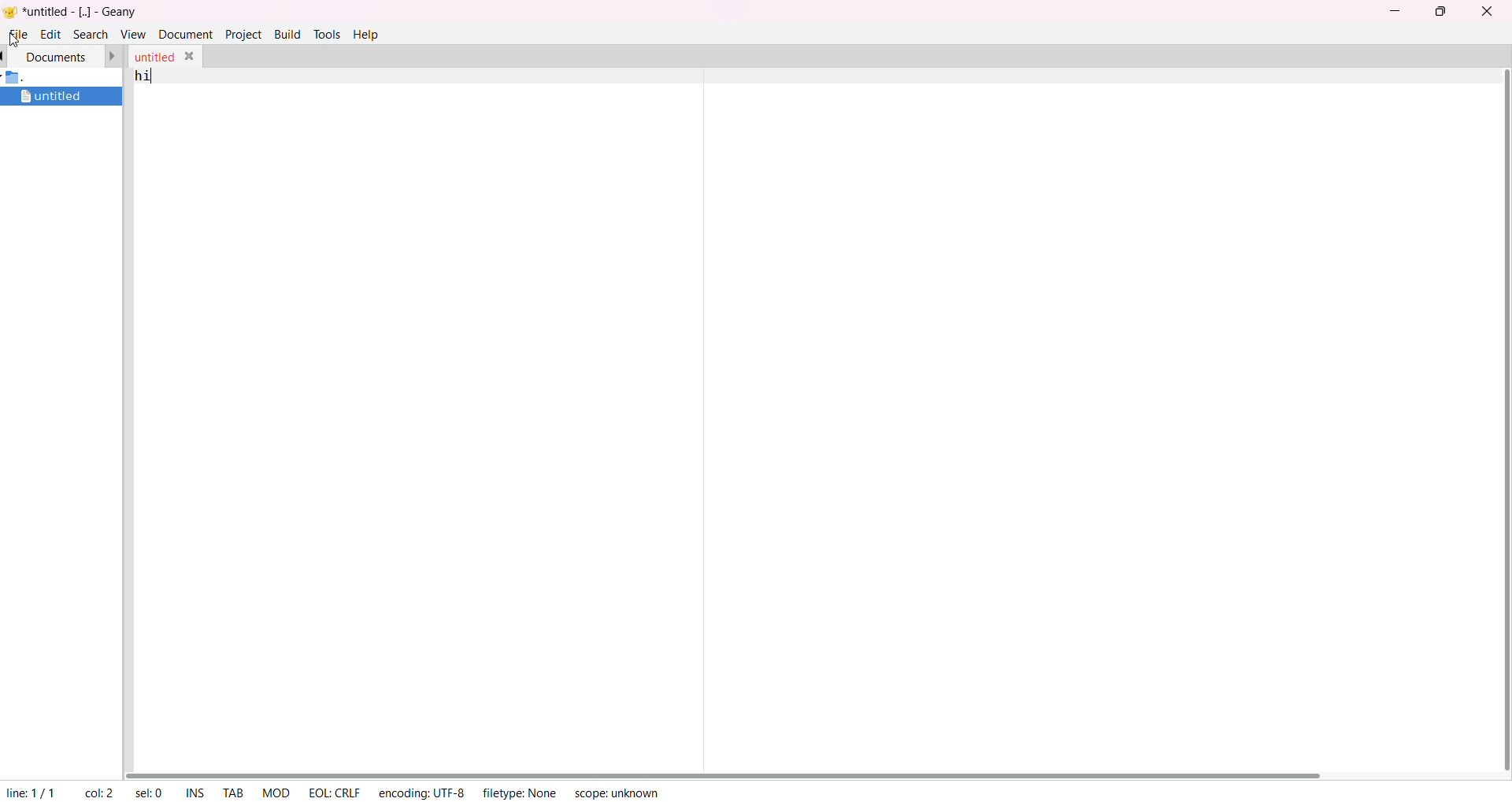 This screenshot has height=802, width=1512. Describe the element at coordinates (237, 790) in the screenshot. I see `tab` at that location.